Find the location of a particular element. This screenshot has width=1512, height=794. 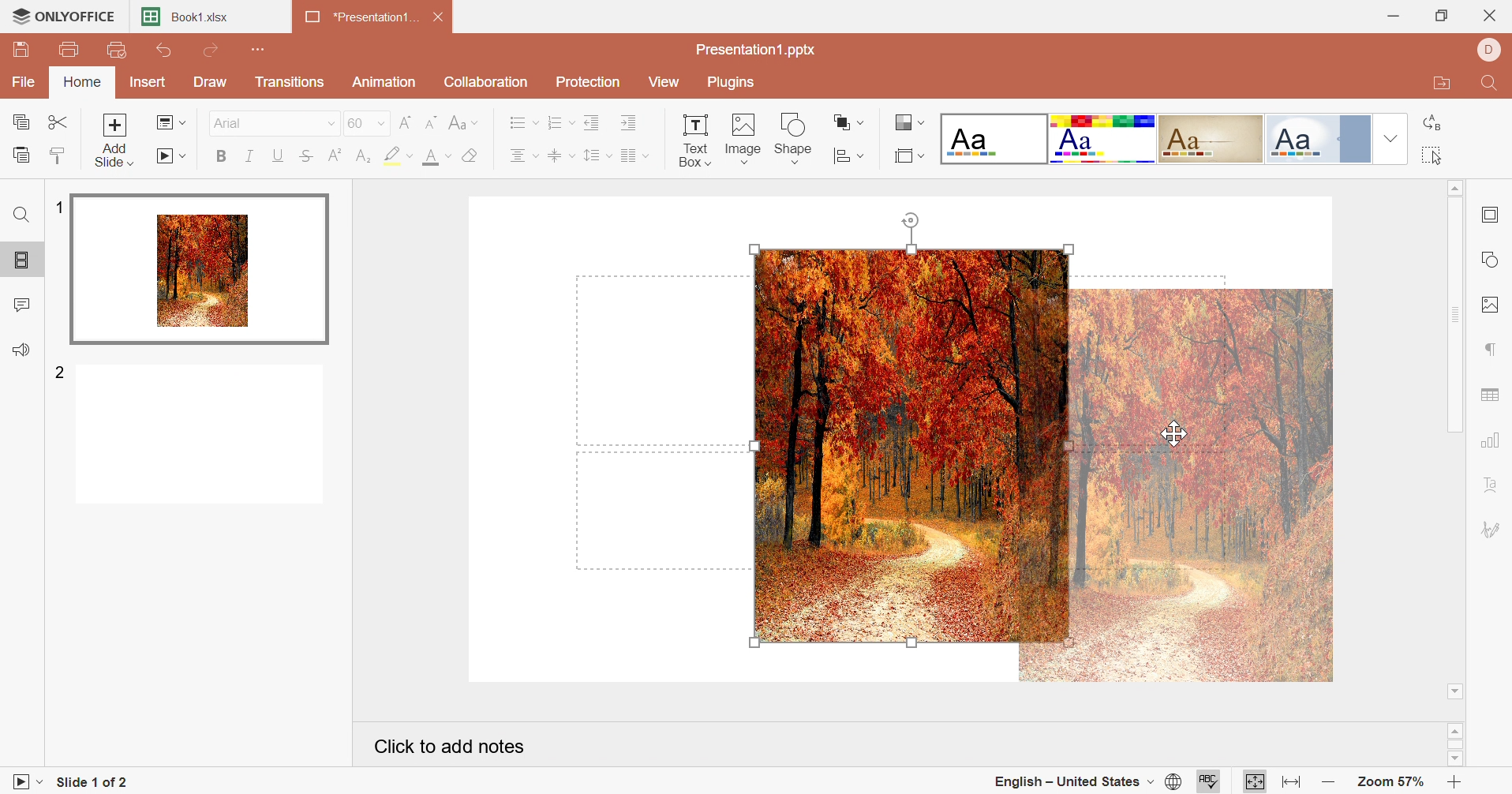

Strikethrough is located at coordinates (305, 158).